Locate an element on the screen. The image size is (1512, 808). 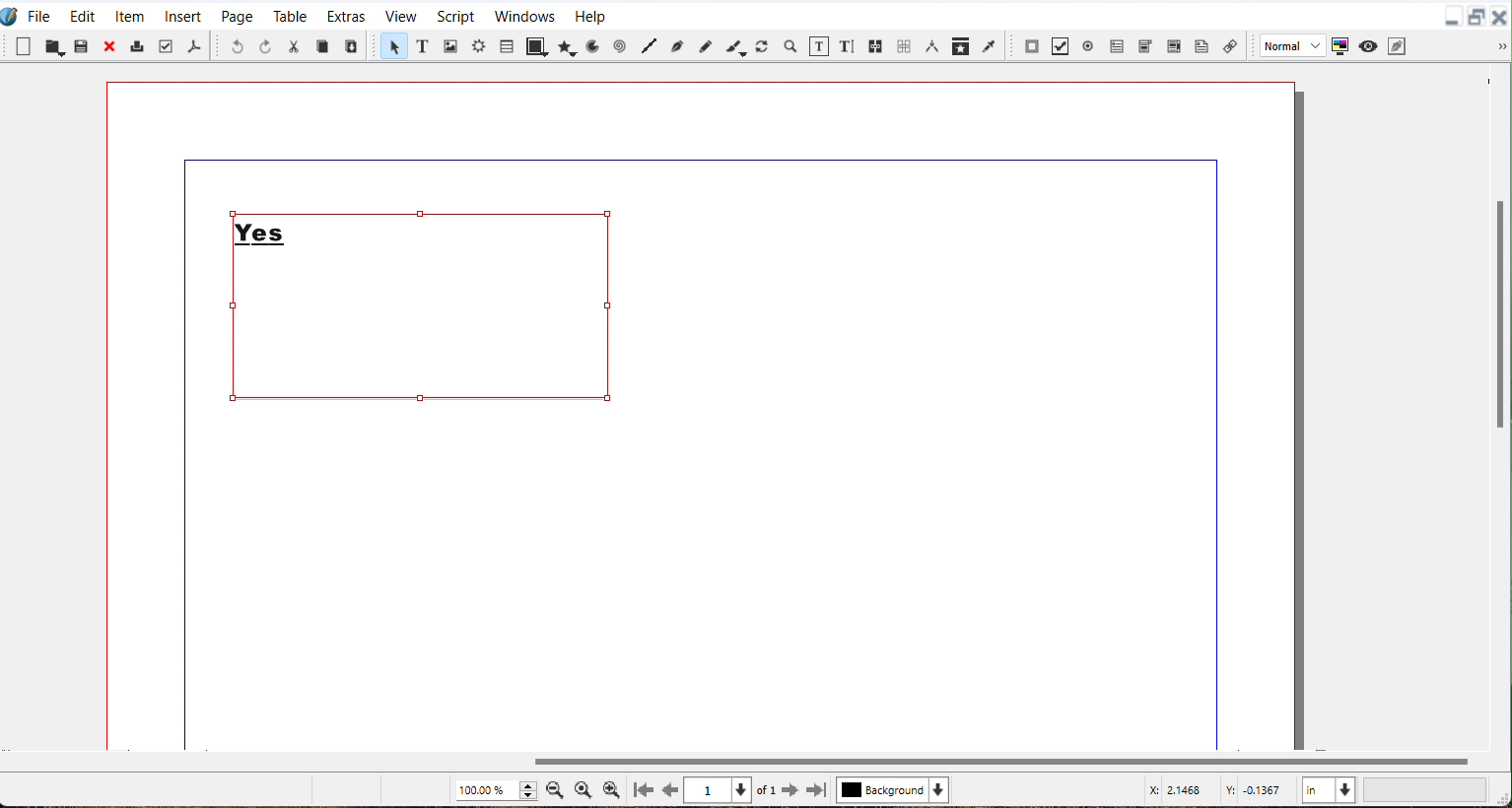
Select Current page is located at coordinates (732, 790).